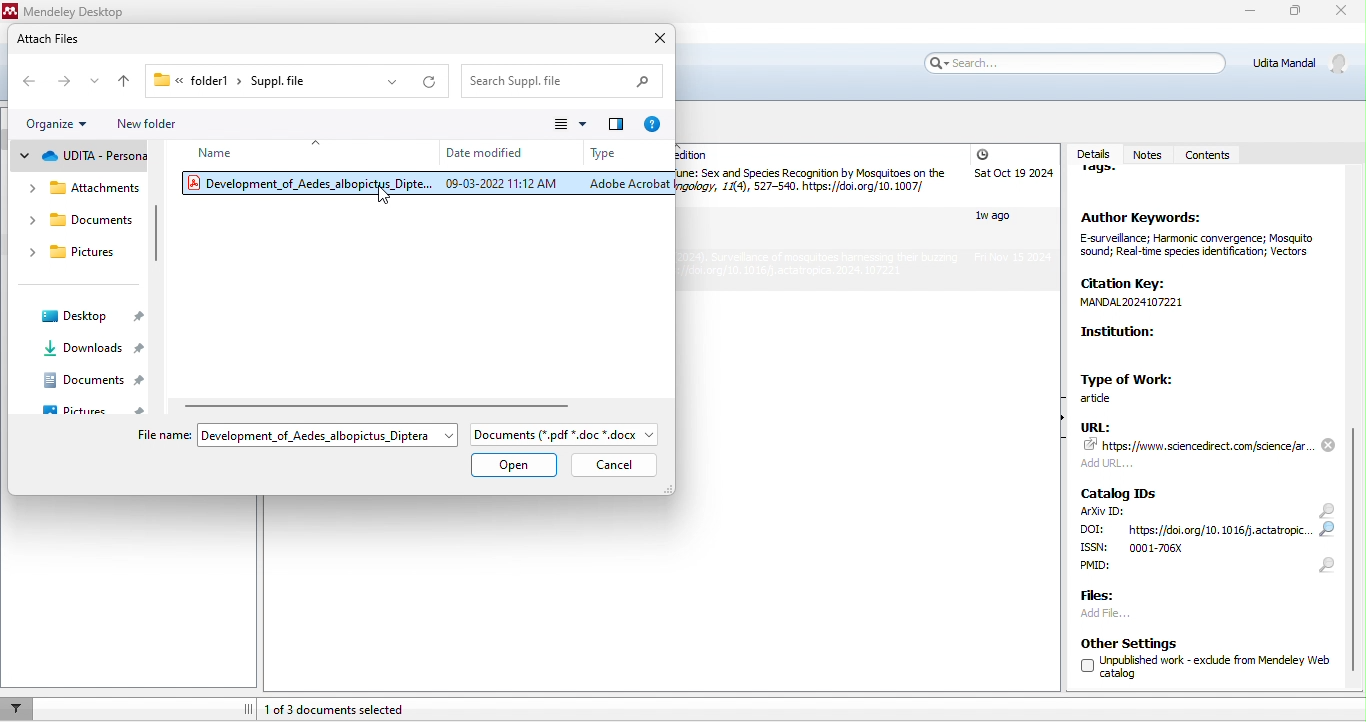  Describe the element at coordinates (1343, 14) in the screenshot. I see `close` at that location.